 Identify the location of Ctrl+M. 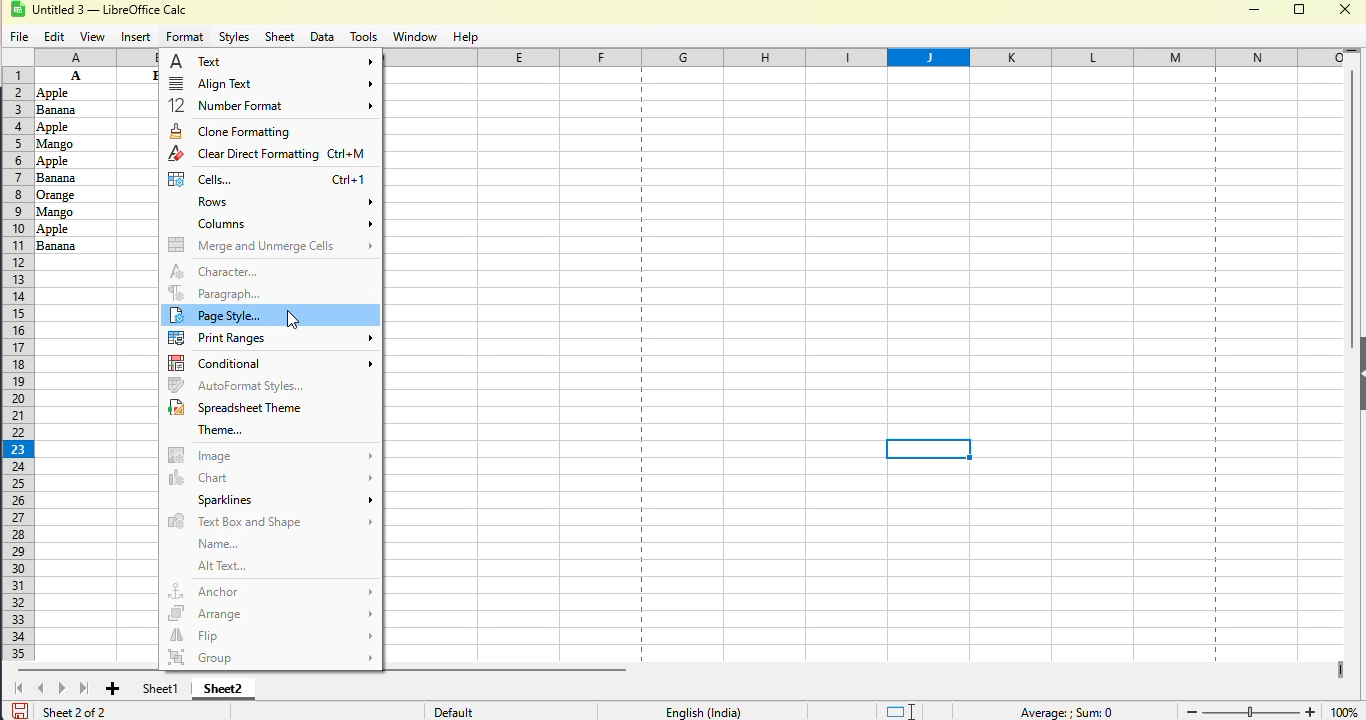
(349, 156).